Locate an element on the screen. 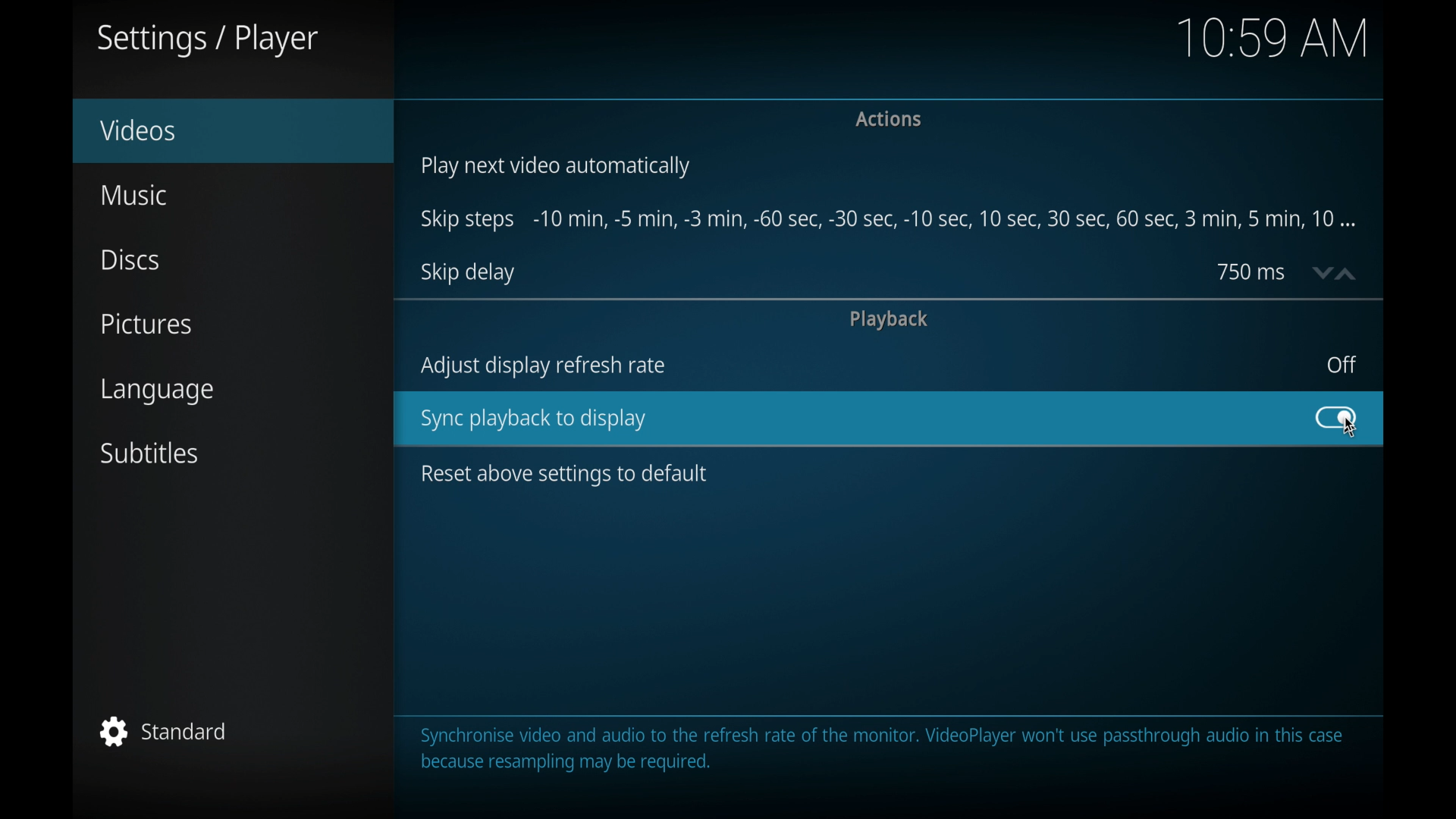  subtitles is located at coordinates (150, 454).